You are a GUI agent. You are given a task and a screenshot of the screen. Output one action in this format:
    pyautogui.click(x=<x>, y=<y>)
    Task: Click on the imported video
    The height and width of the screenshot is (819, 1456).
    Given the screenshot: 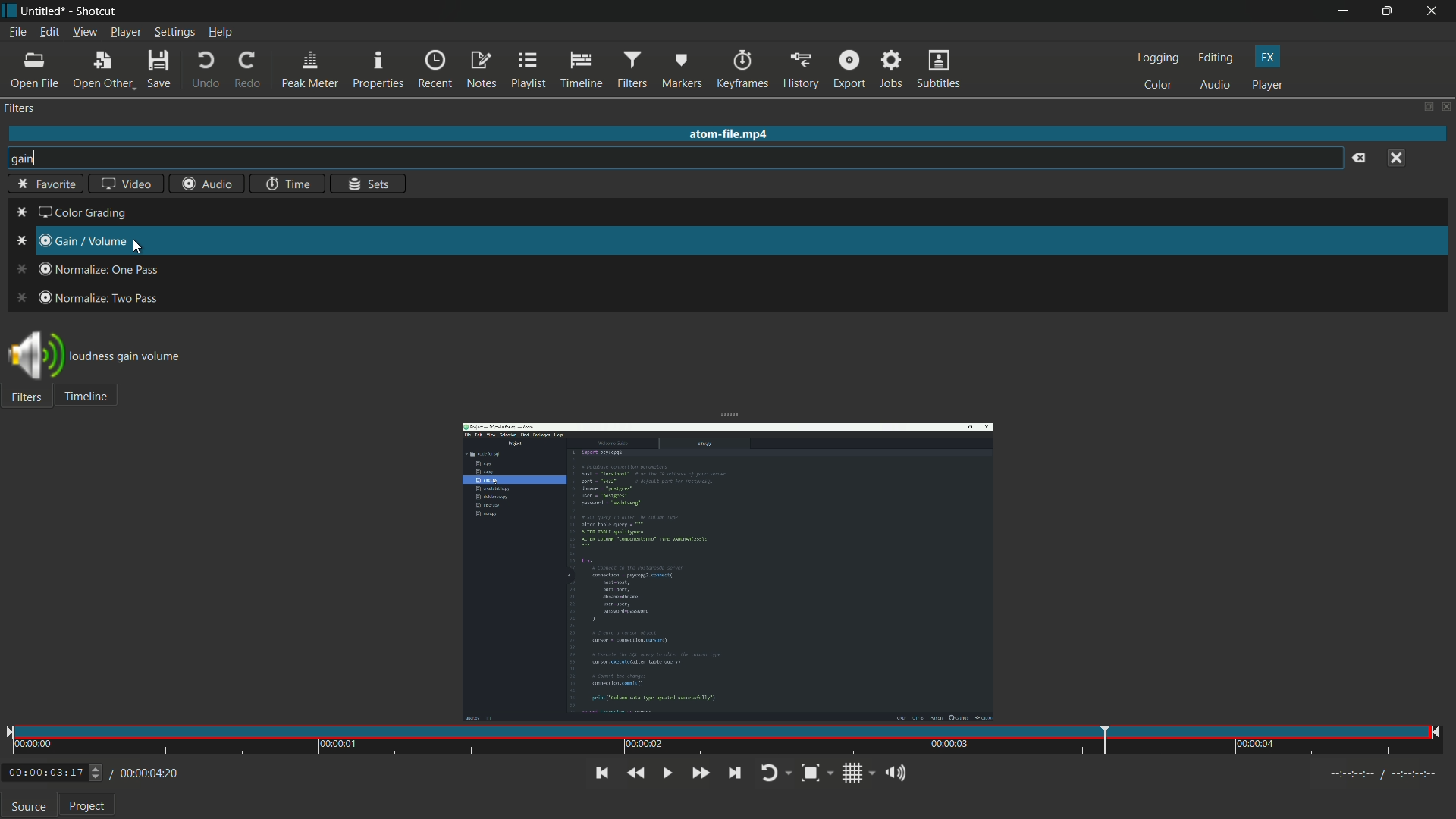 What is the action you would take?
    pyautogui.click(x=727, y=573)
    